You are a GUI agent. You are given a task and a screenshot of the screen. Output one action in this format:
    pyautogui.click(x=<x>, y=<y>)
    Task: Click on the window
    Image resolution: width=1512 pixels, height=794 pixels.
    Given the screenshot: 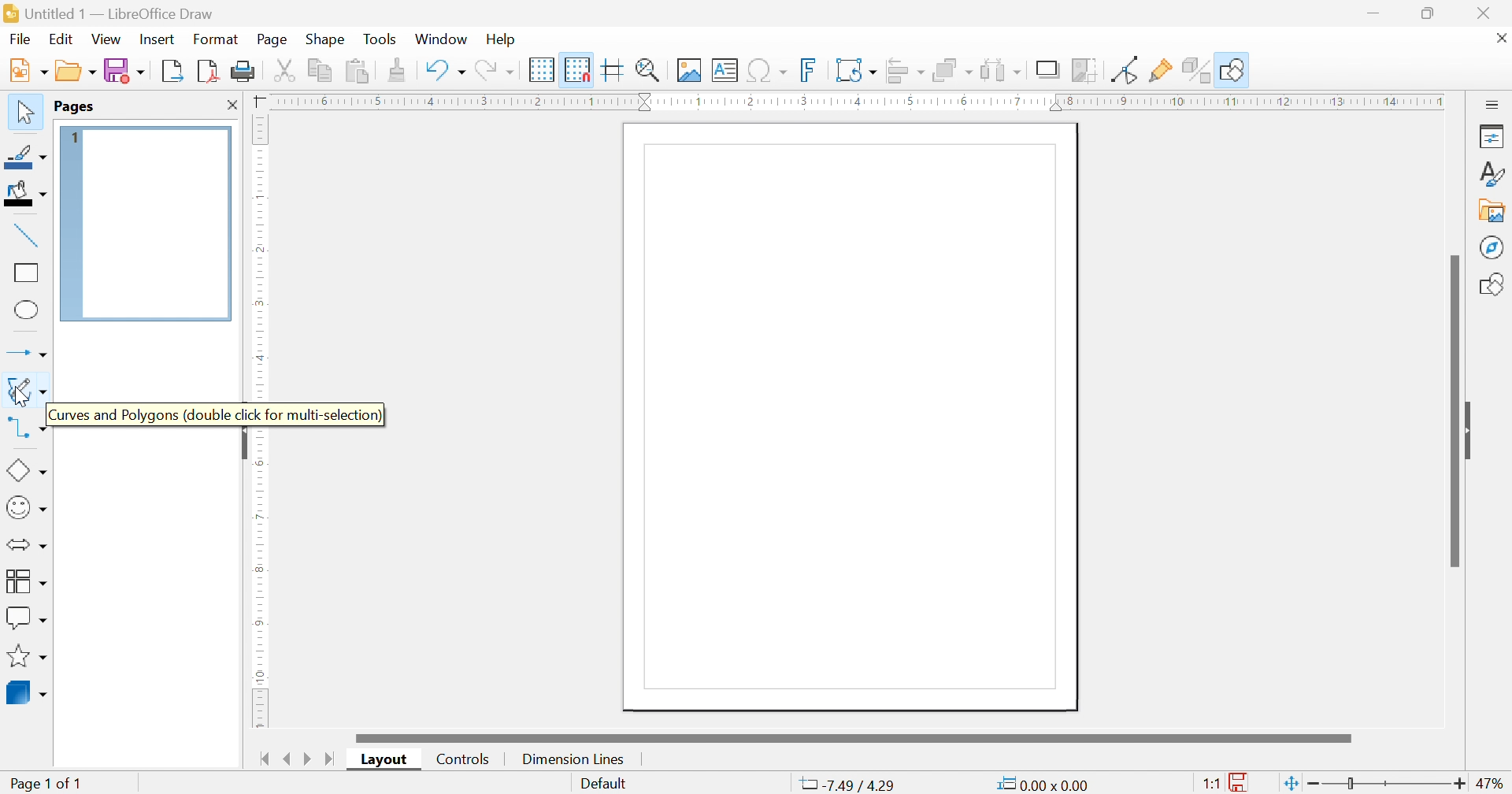 What is the action you would take?
    pyautogui.click(x=440, y=39)
    